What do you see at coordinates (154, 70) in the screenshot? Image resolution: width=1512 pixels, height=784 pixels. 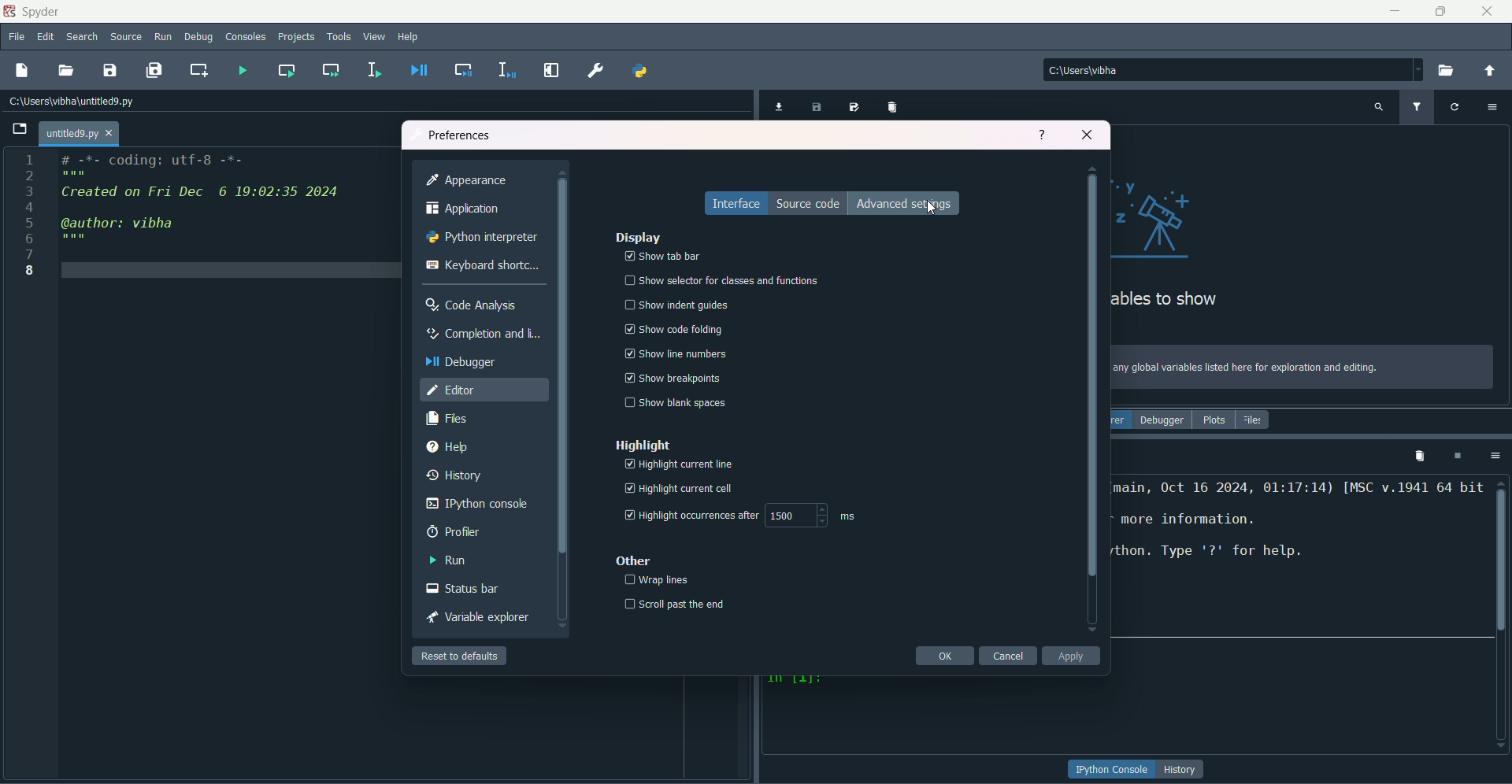 I see `save all` at bounding box center [154, 70].